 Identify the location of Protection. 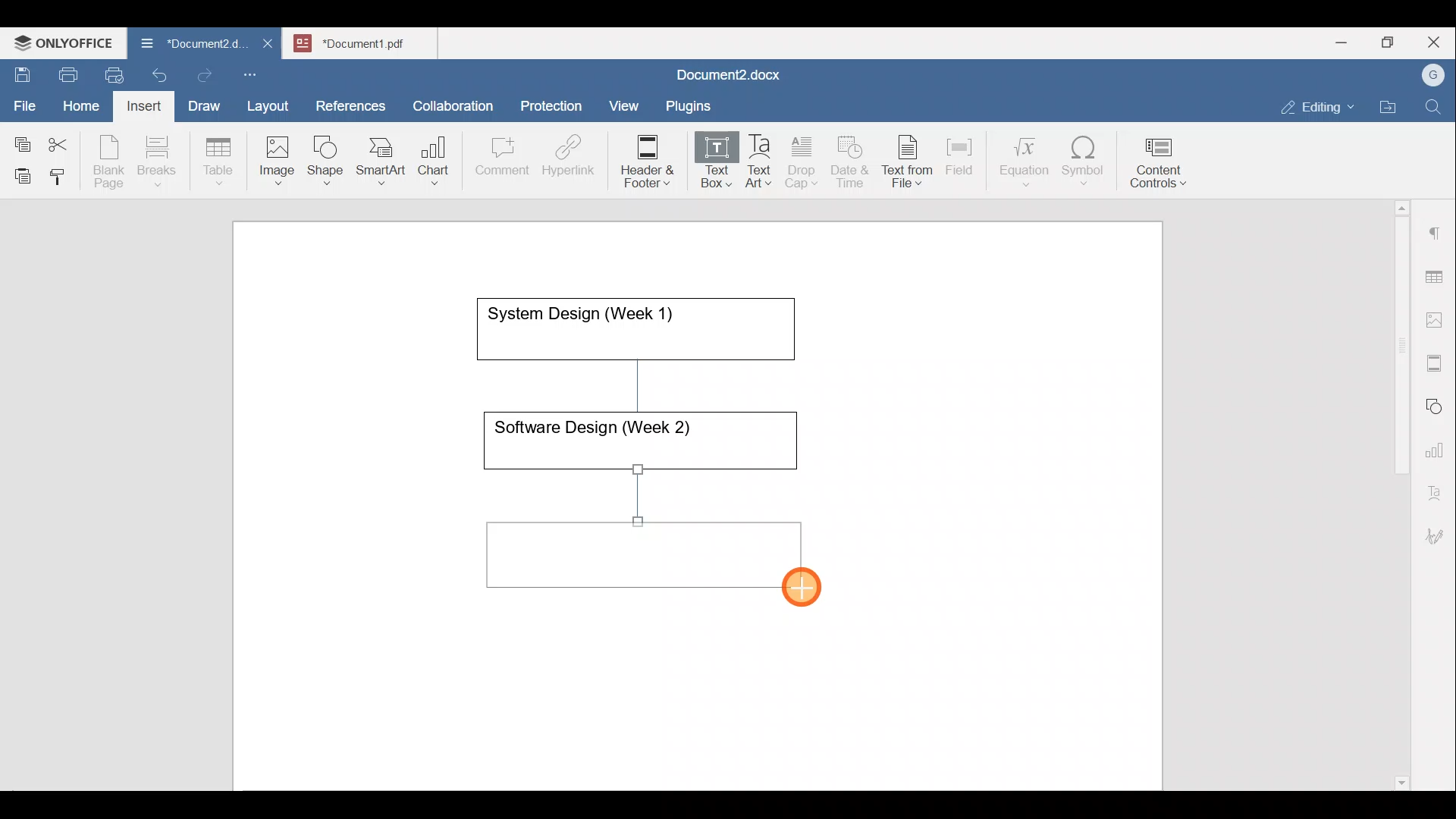
(556, 104).